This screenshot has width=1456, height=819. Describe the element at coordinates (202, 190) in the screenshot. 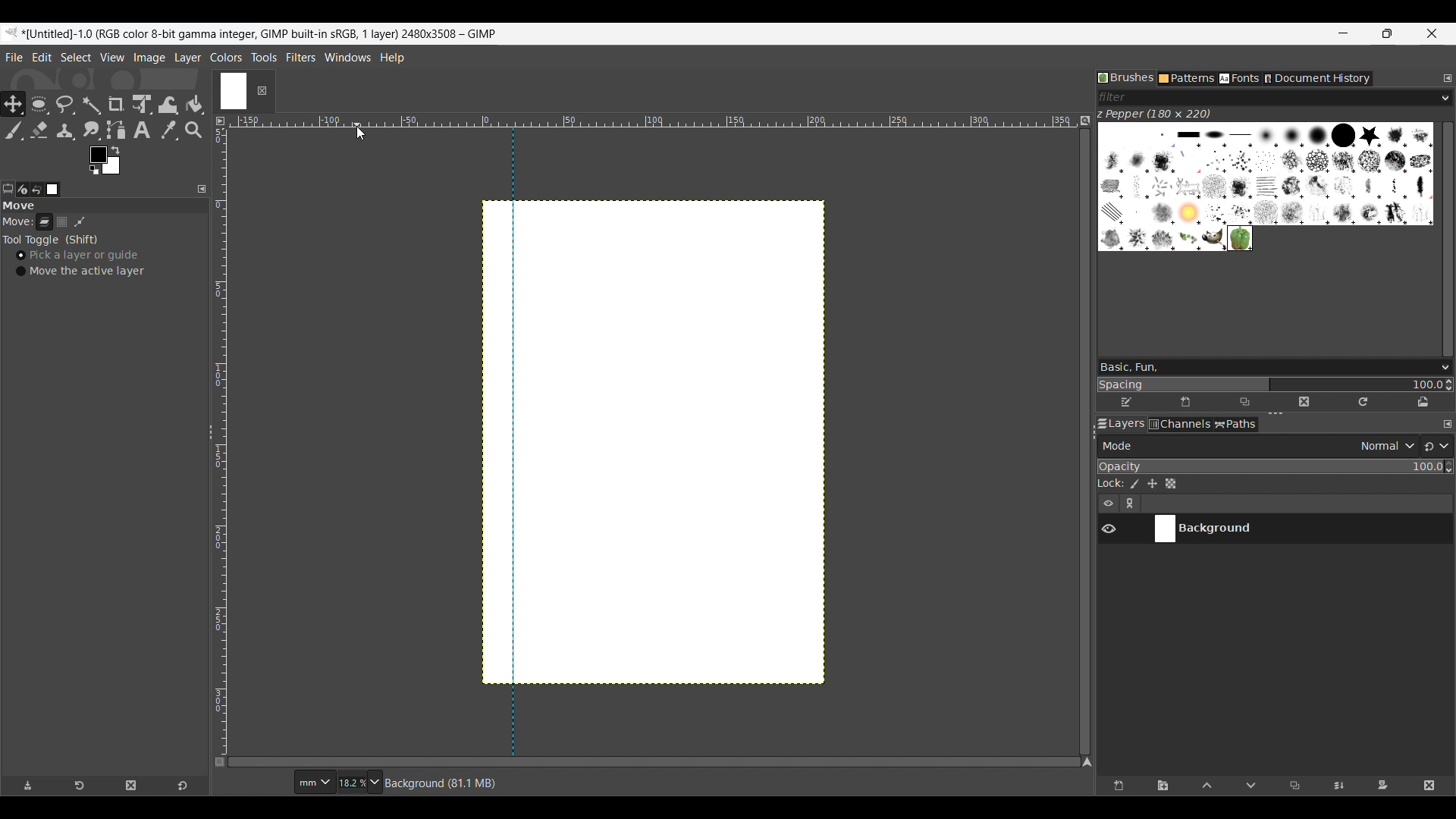

I see `Configure this tab` at that location.